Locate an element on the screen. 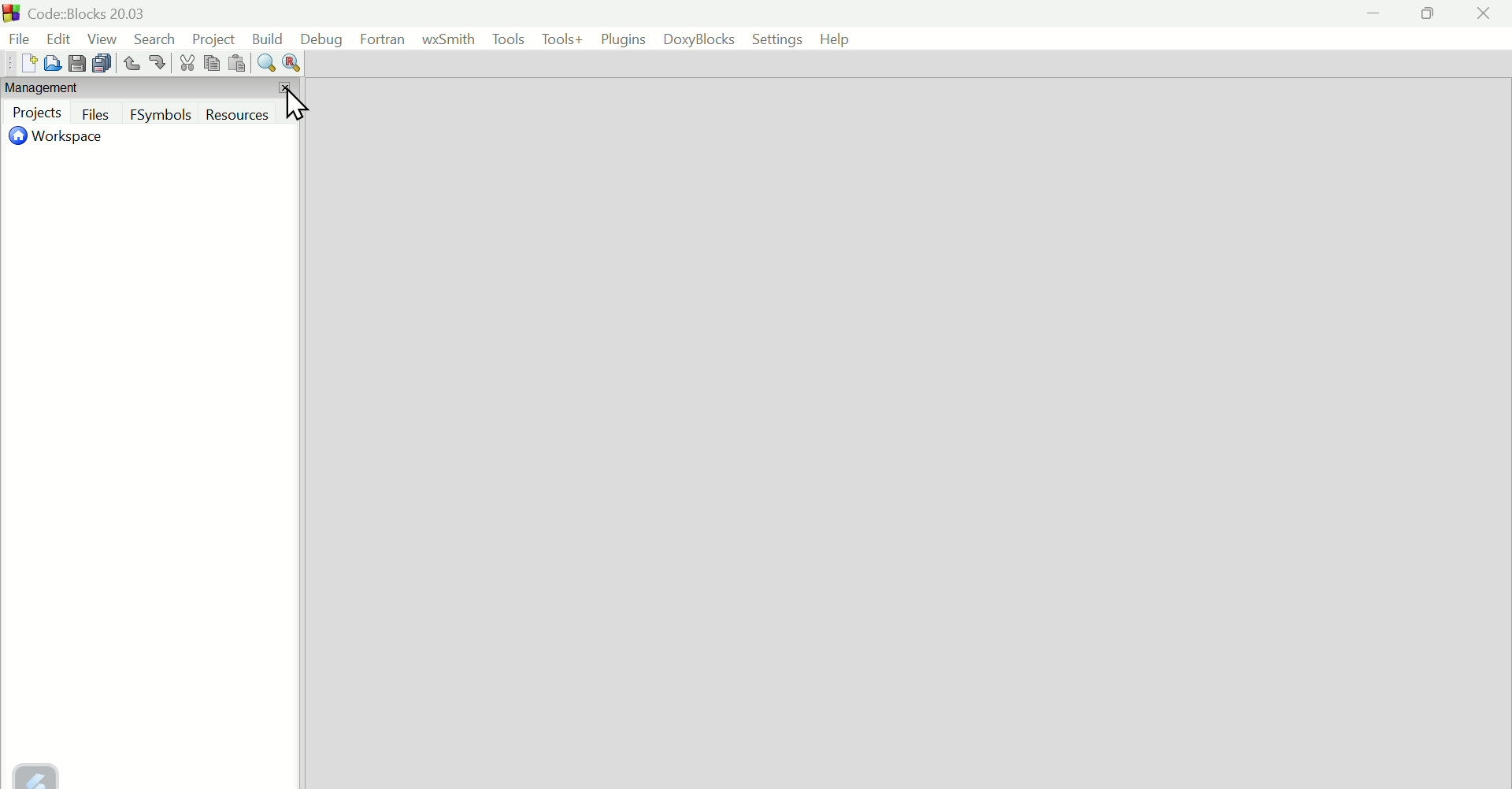 This screenshot has width=1512, height=789. Debug is located at coordinates (321, 40).